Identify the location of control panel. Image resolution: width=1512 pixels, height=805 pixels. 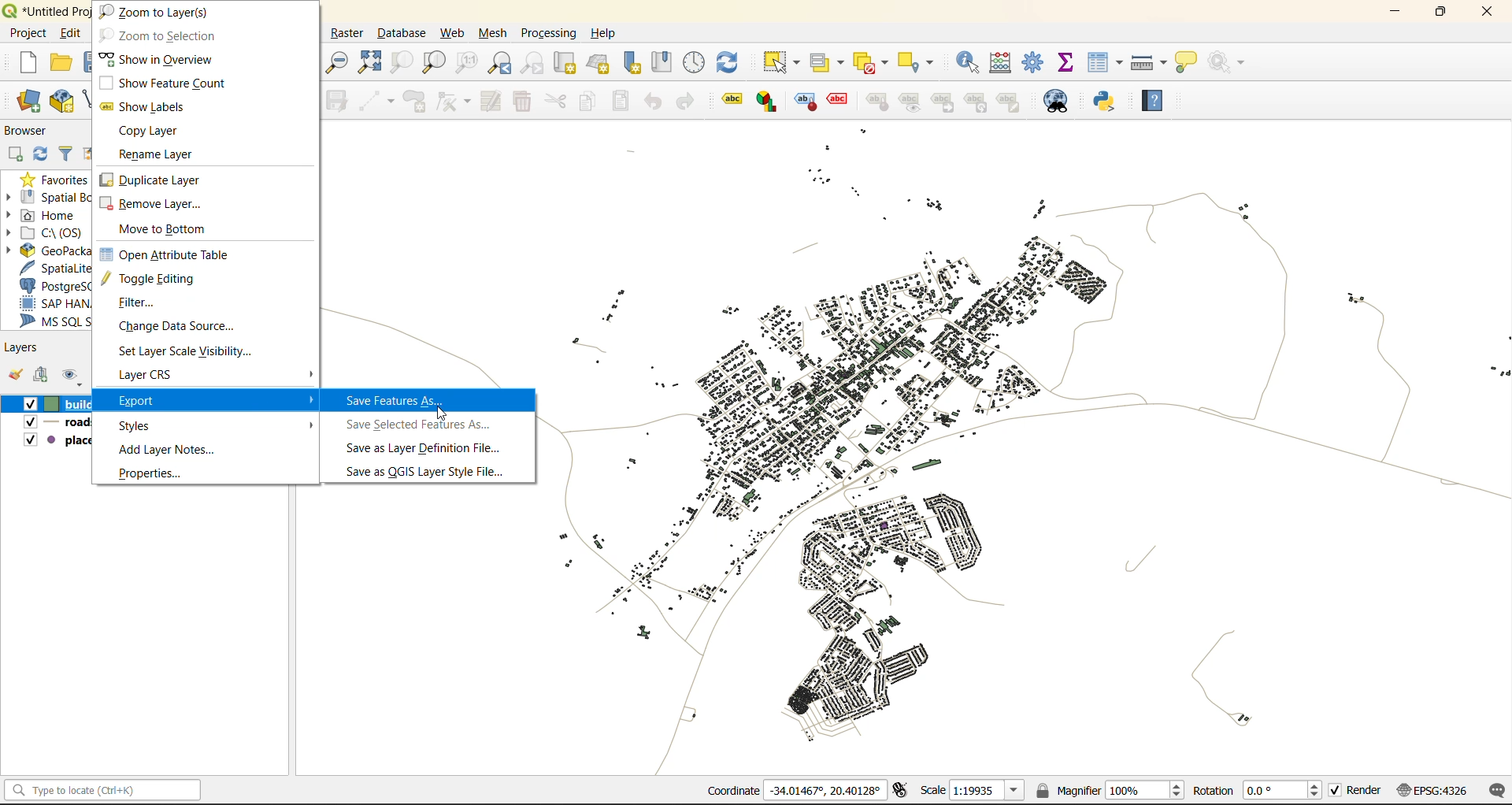
(695, 61).